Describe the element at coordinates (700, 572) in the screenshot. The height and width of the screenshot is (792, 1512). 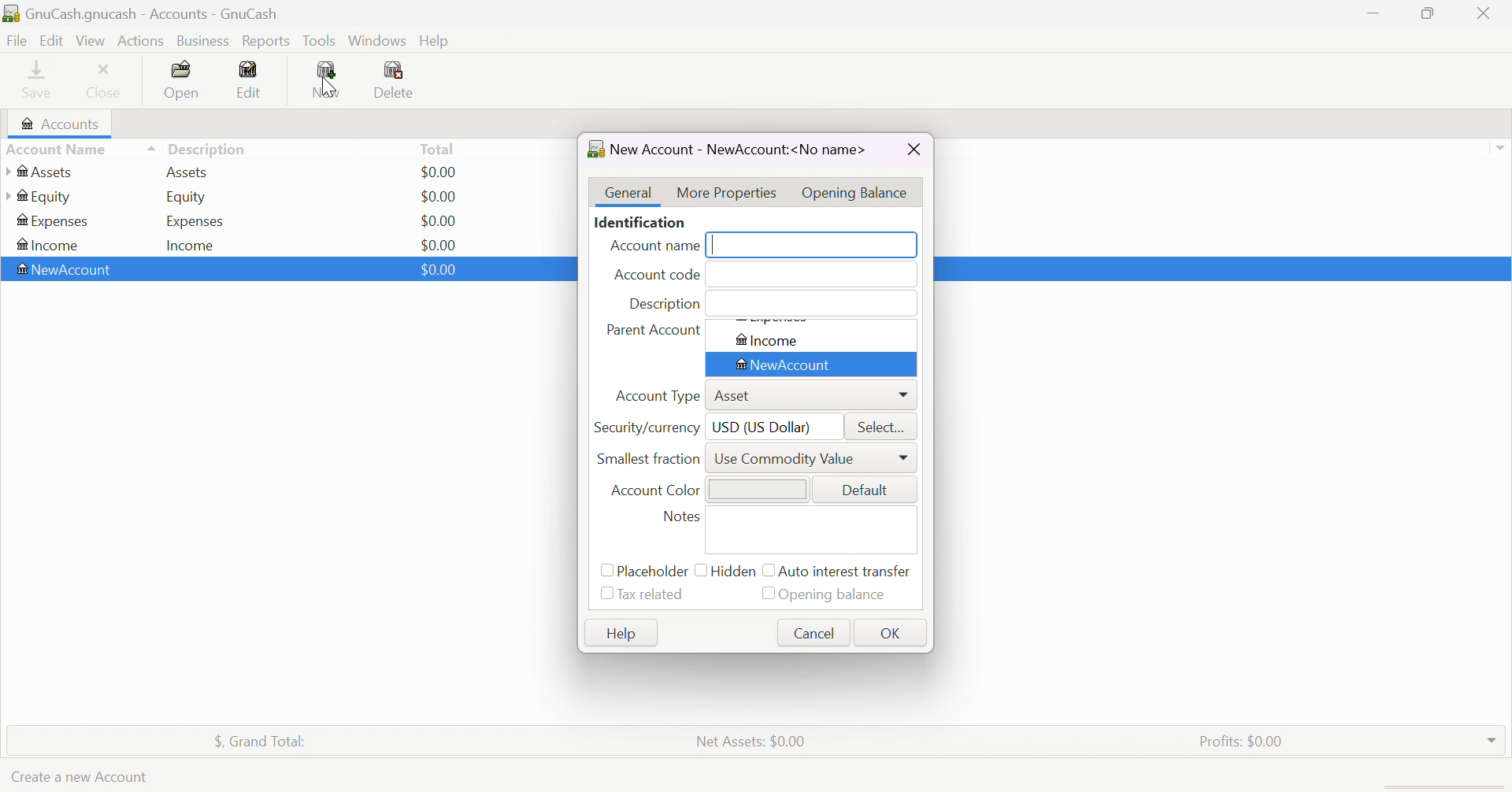
I see `Checkbox` at that location.